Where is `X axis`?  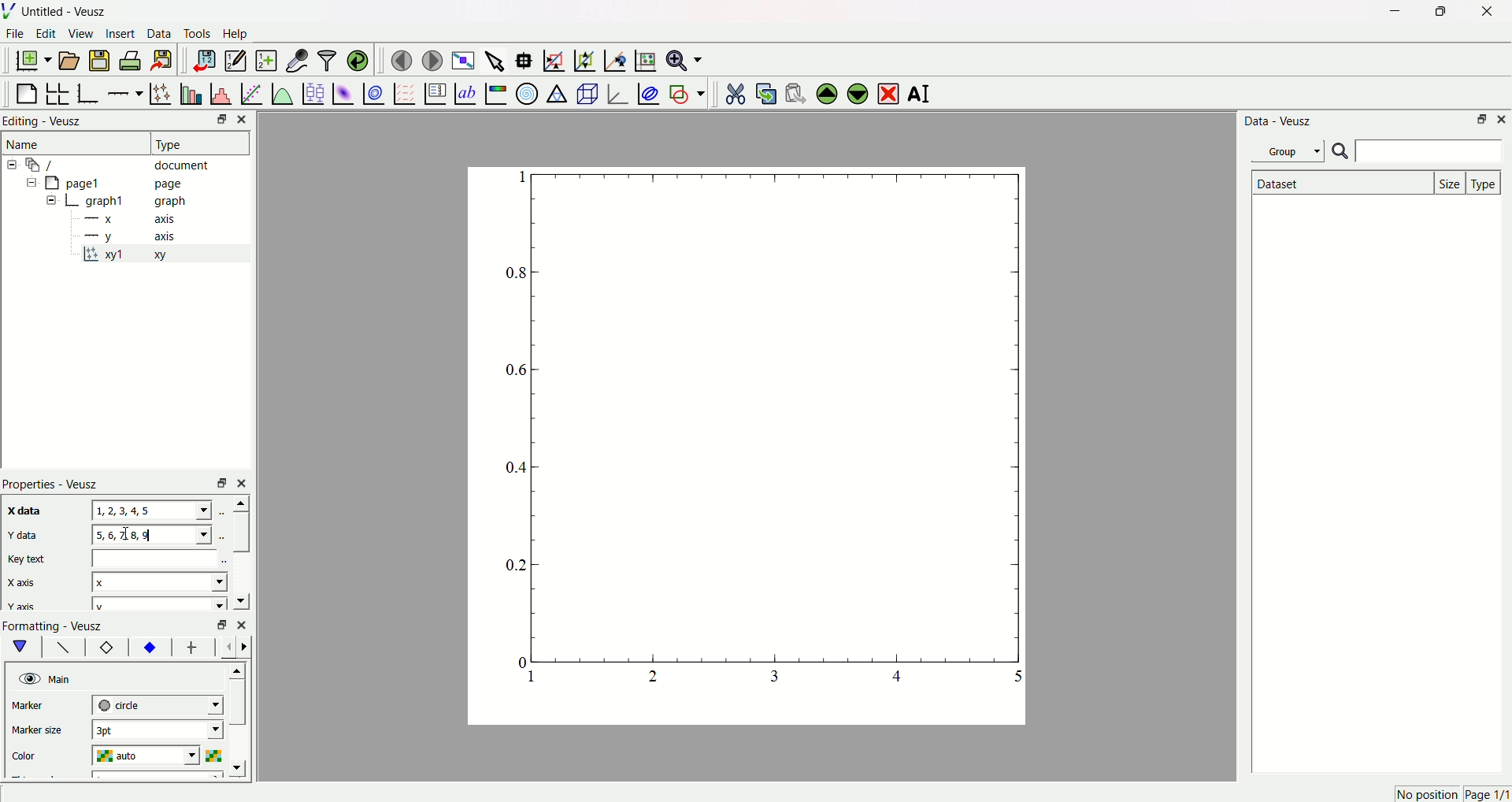 X axis is located at coordinates (28, 583).